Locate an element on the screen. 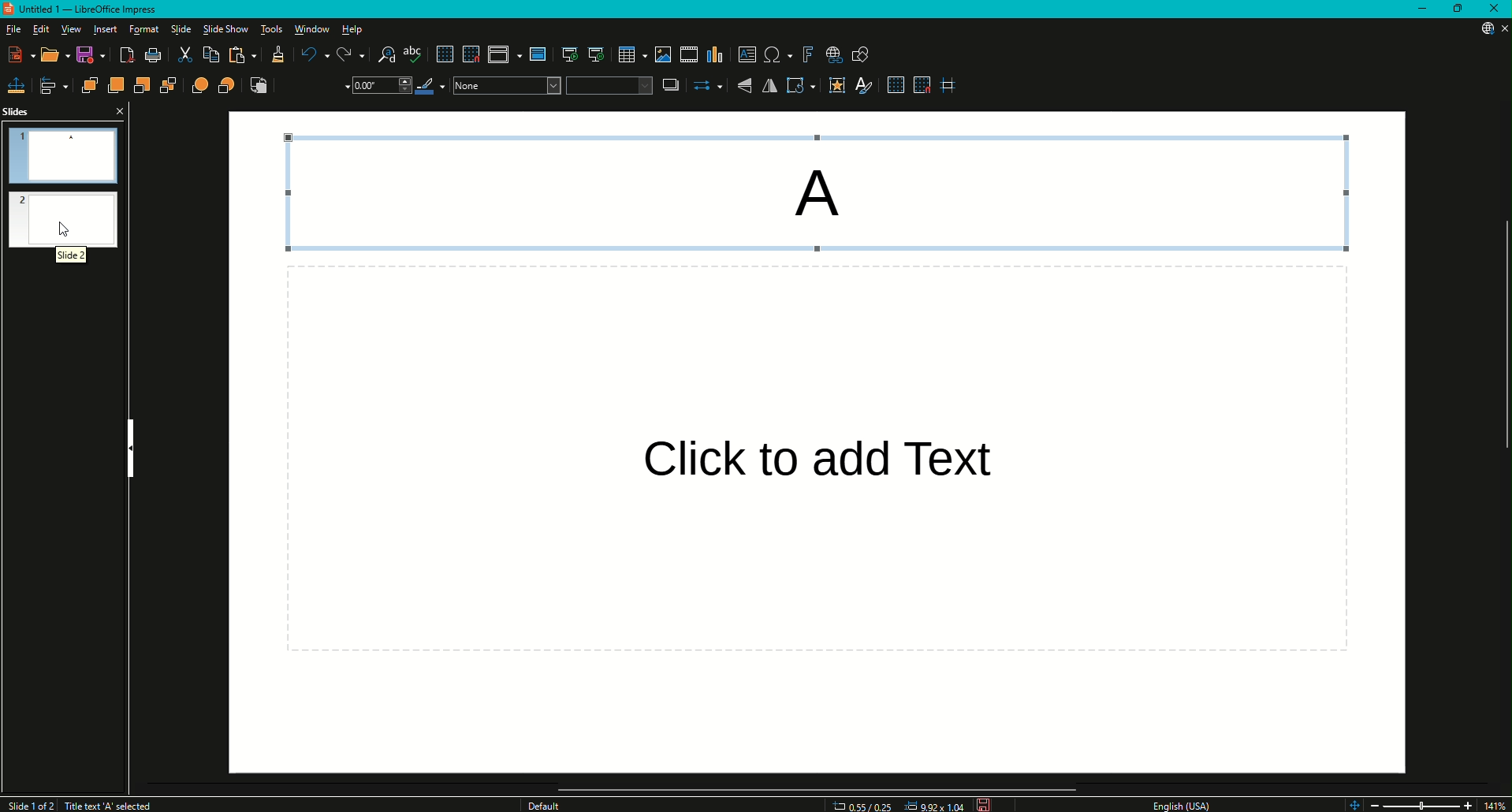 The height and width of the screenshot is (812, 1512). Snap to Grid is located at coordinates (922, 86).